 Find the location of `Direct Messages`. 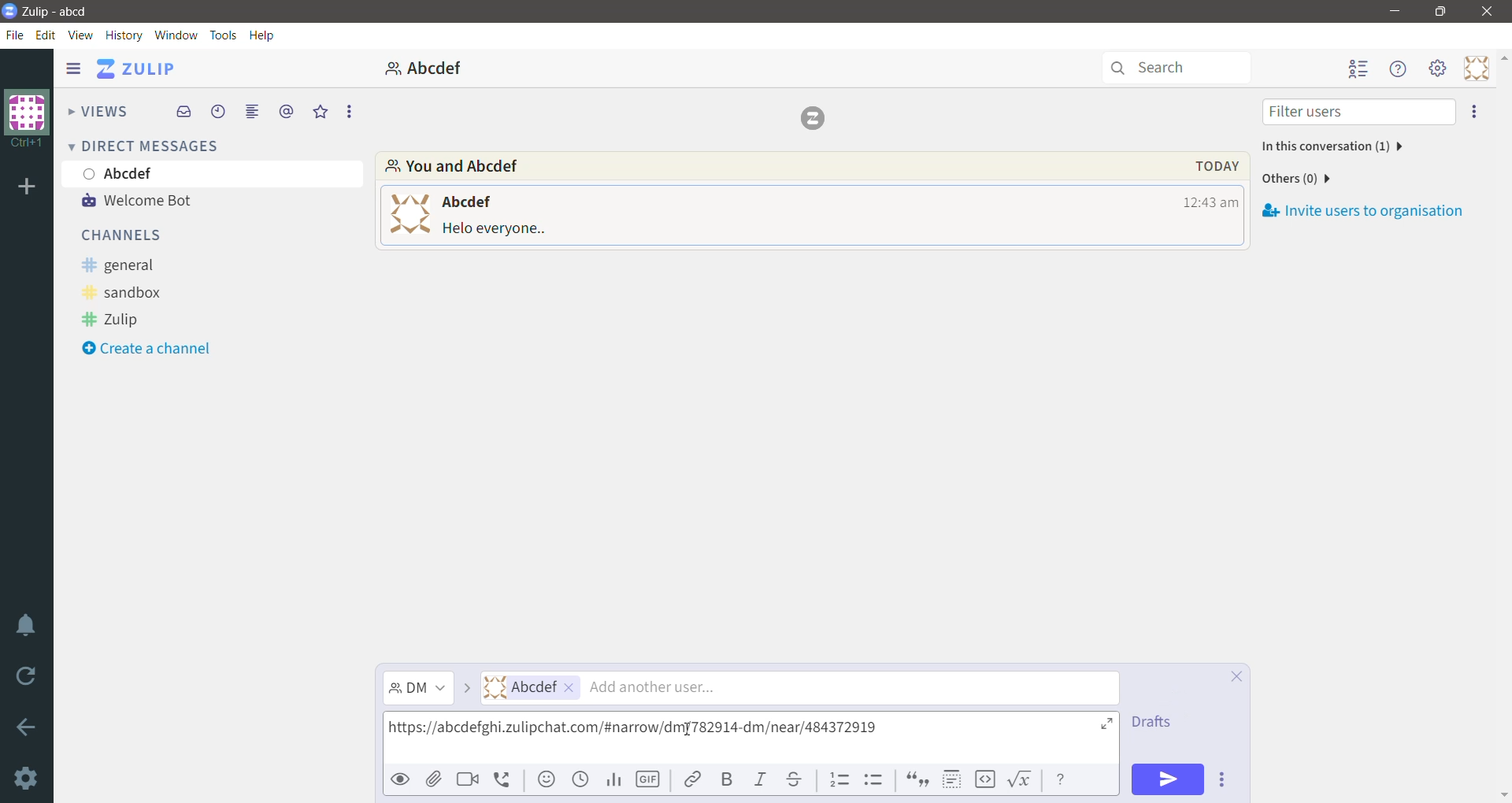

Direct Messages is located at coordinates (147, 146).